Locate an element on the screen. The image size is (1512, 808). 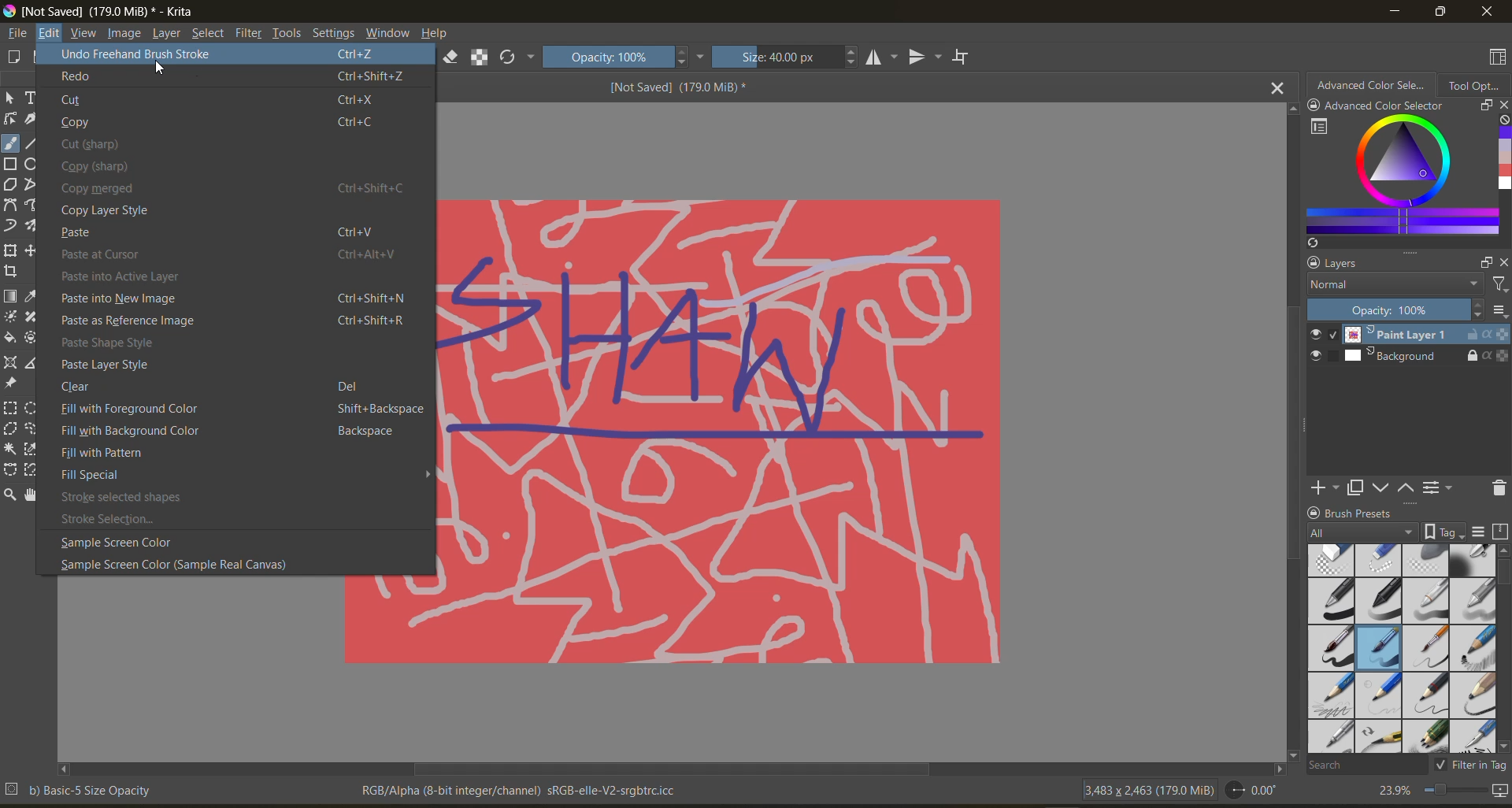
Freehand selection tool is located at coordinates (36, 428).